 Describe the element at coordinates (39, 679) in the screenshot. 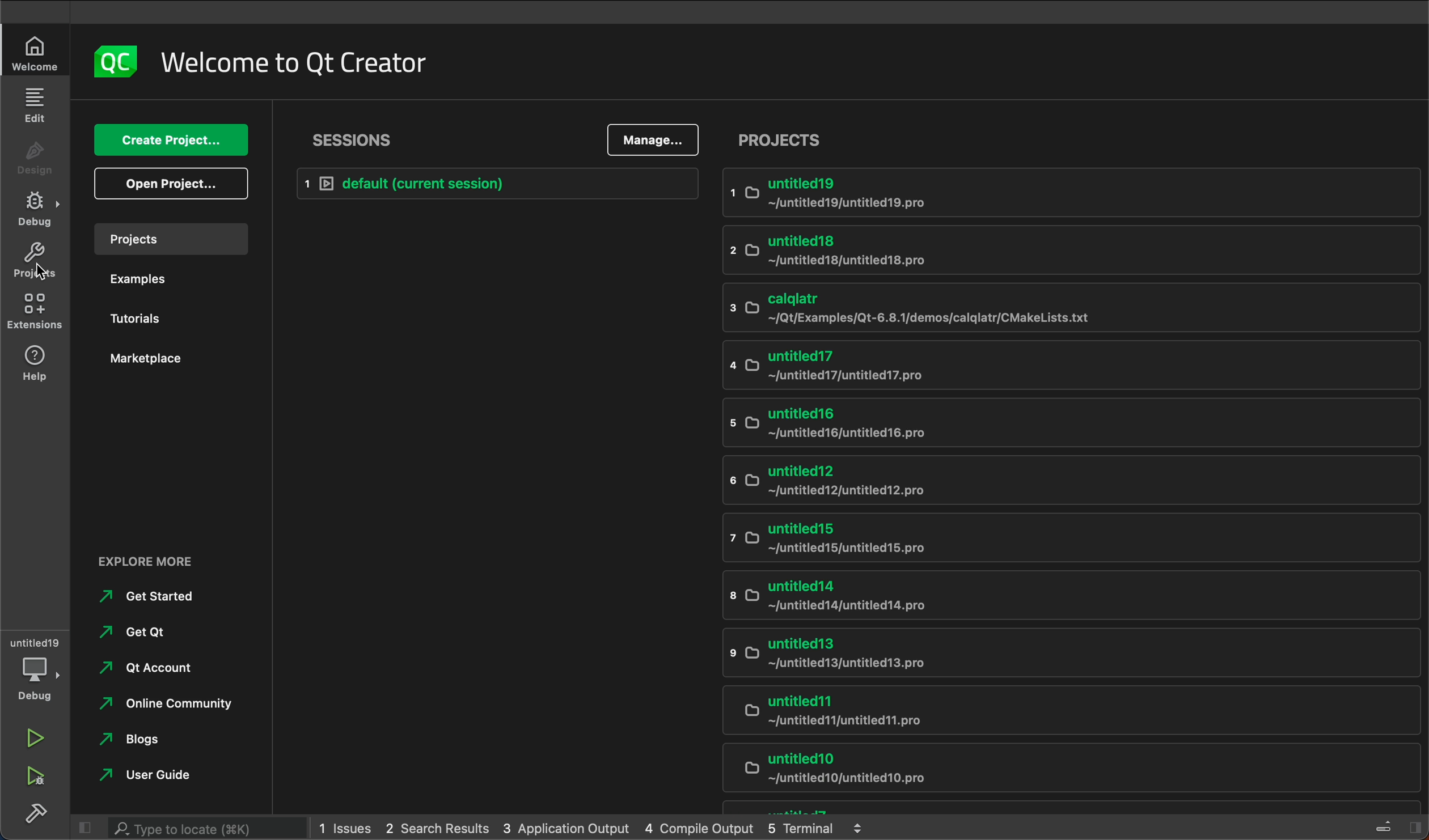

I see `debug` at that location.